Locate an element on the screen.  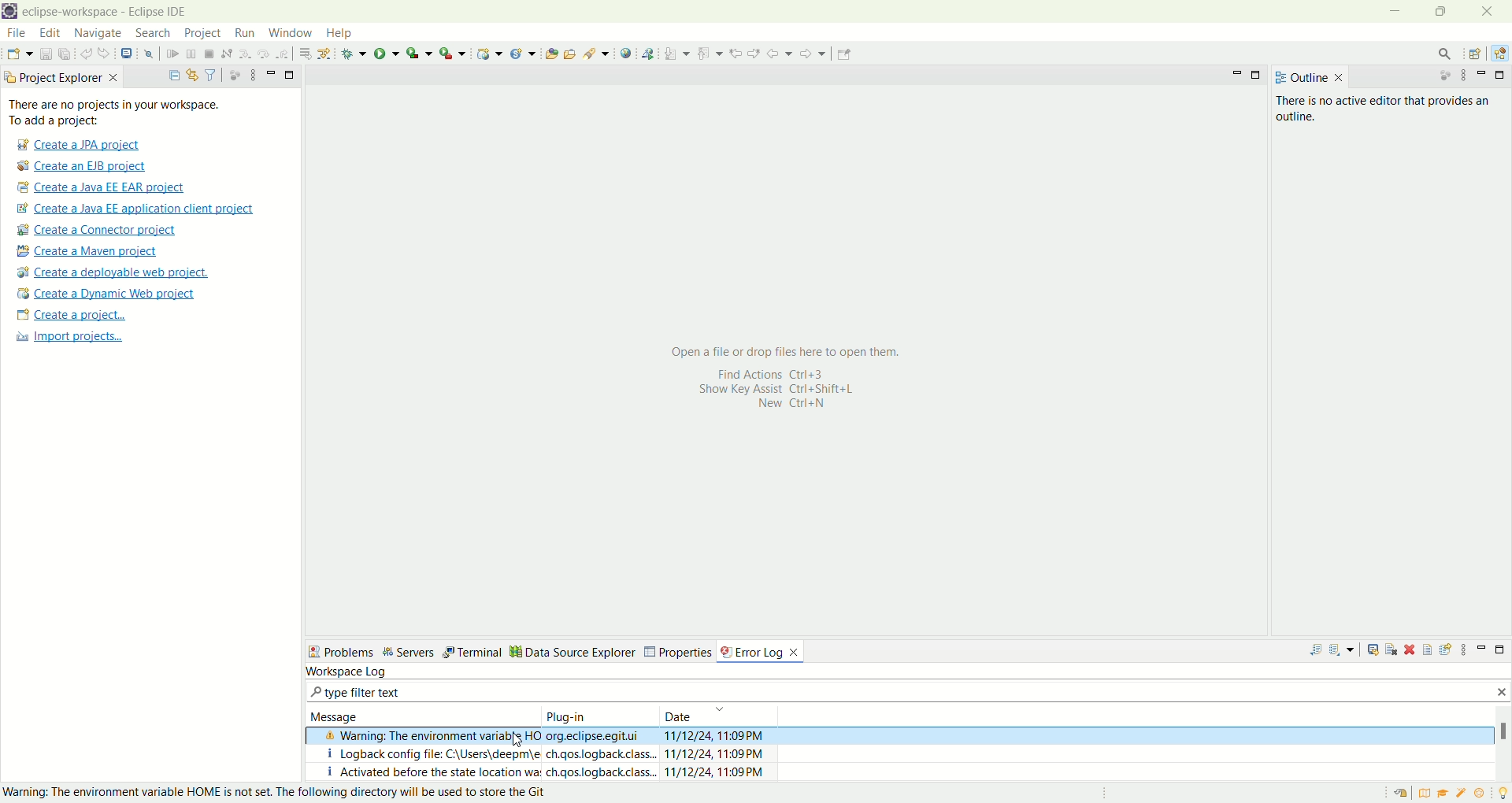
outline is located at coordinates (1310, 77).